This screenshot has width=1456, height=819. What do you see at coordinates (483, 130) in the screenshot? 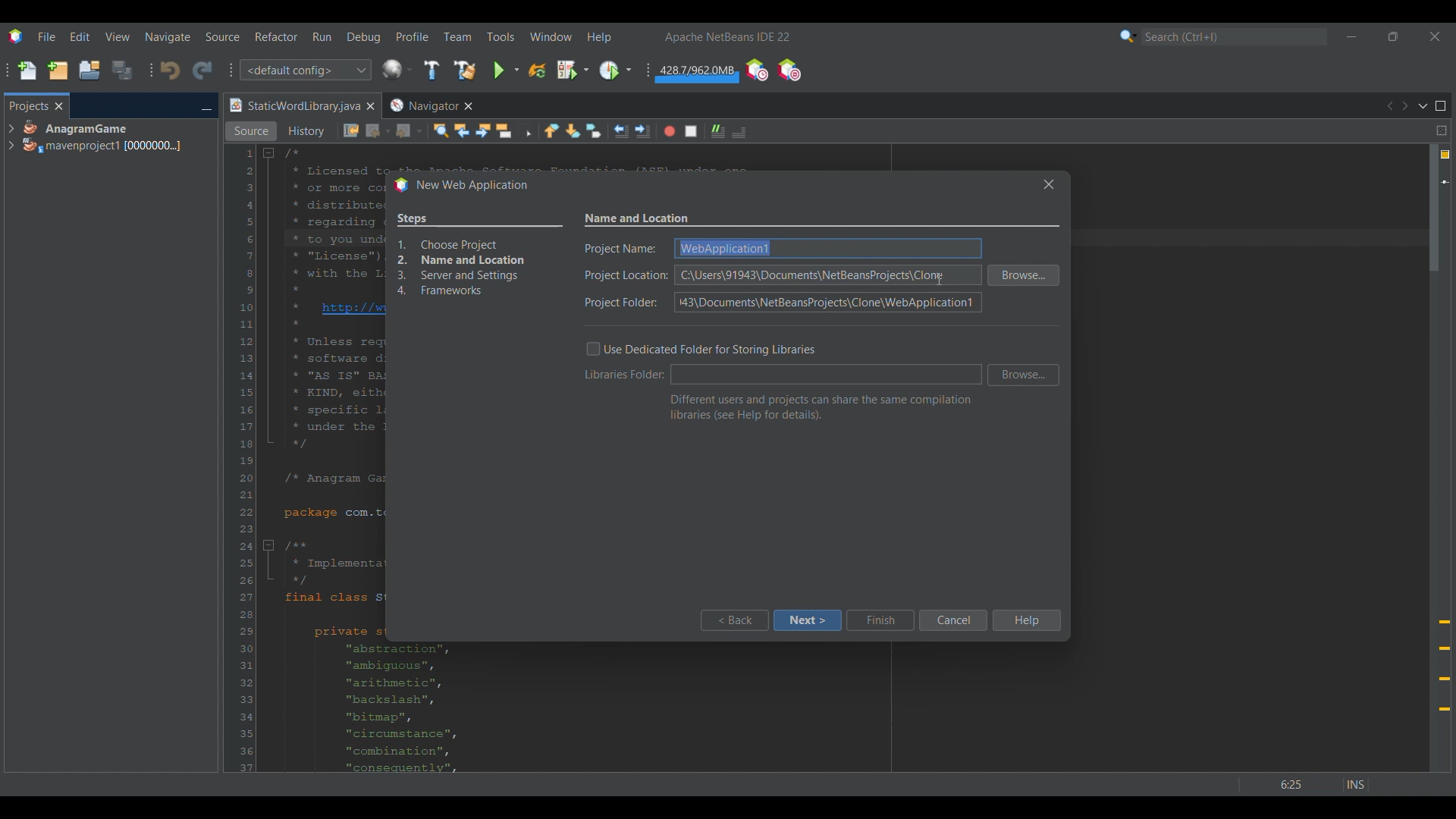
I see `Find next occurrence` at bounding box center [483, 130].